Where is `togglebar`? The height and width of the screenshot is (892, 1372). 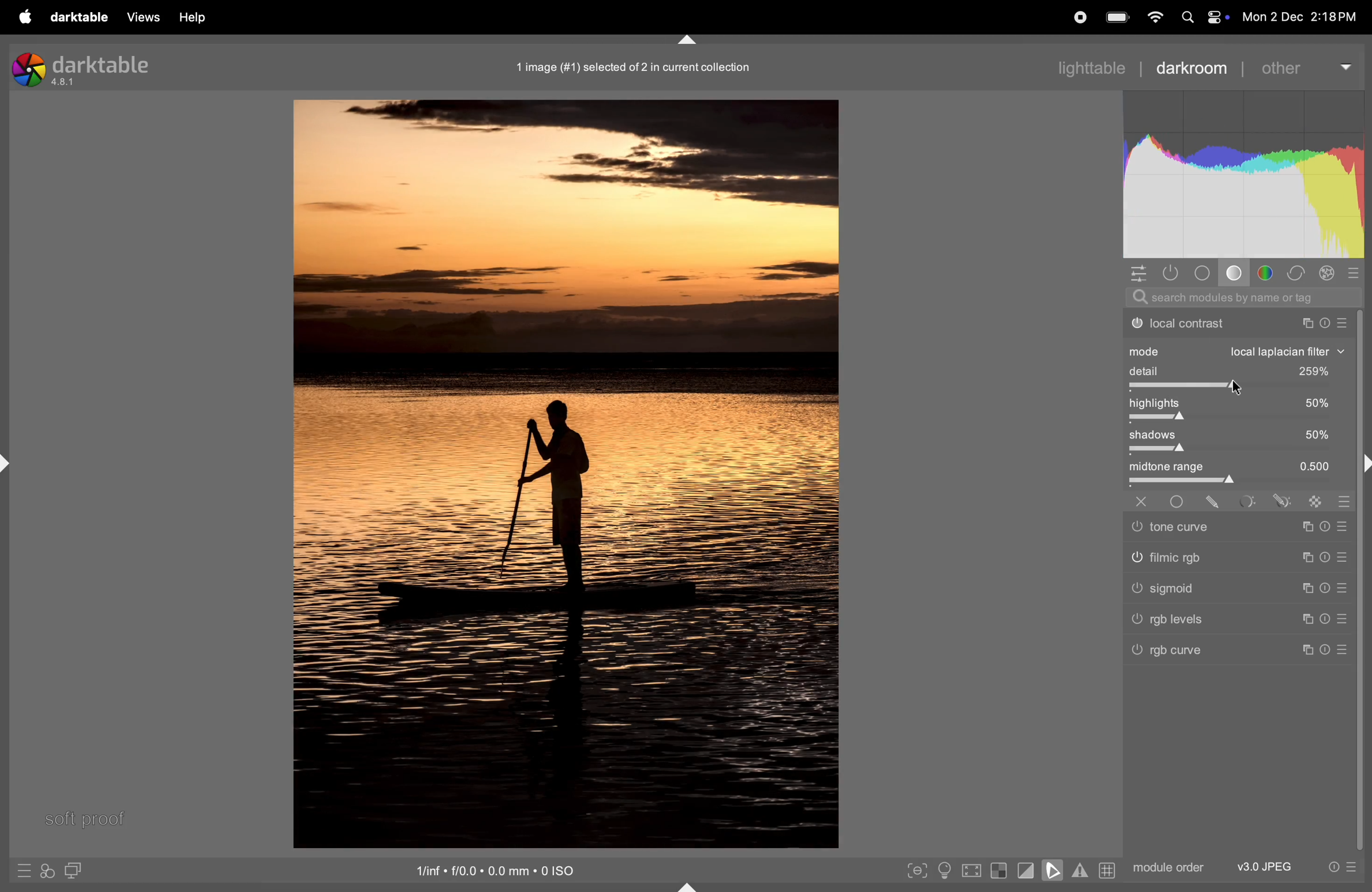
togglebar is located at coordinates (1238, 386).